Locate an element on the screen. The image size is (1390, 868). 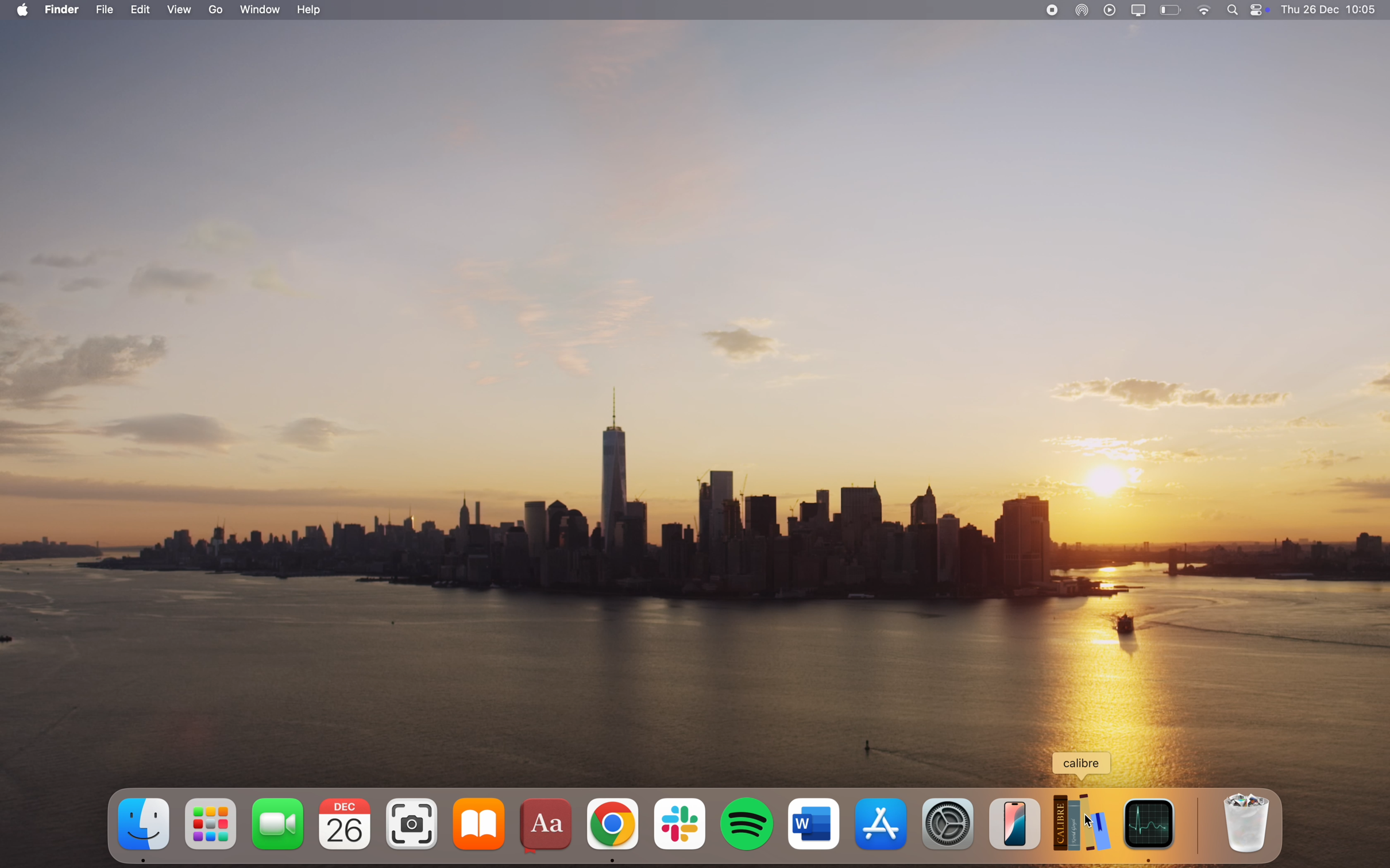
screen is located at coordinates (1139, 10).